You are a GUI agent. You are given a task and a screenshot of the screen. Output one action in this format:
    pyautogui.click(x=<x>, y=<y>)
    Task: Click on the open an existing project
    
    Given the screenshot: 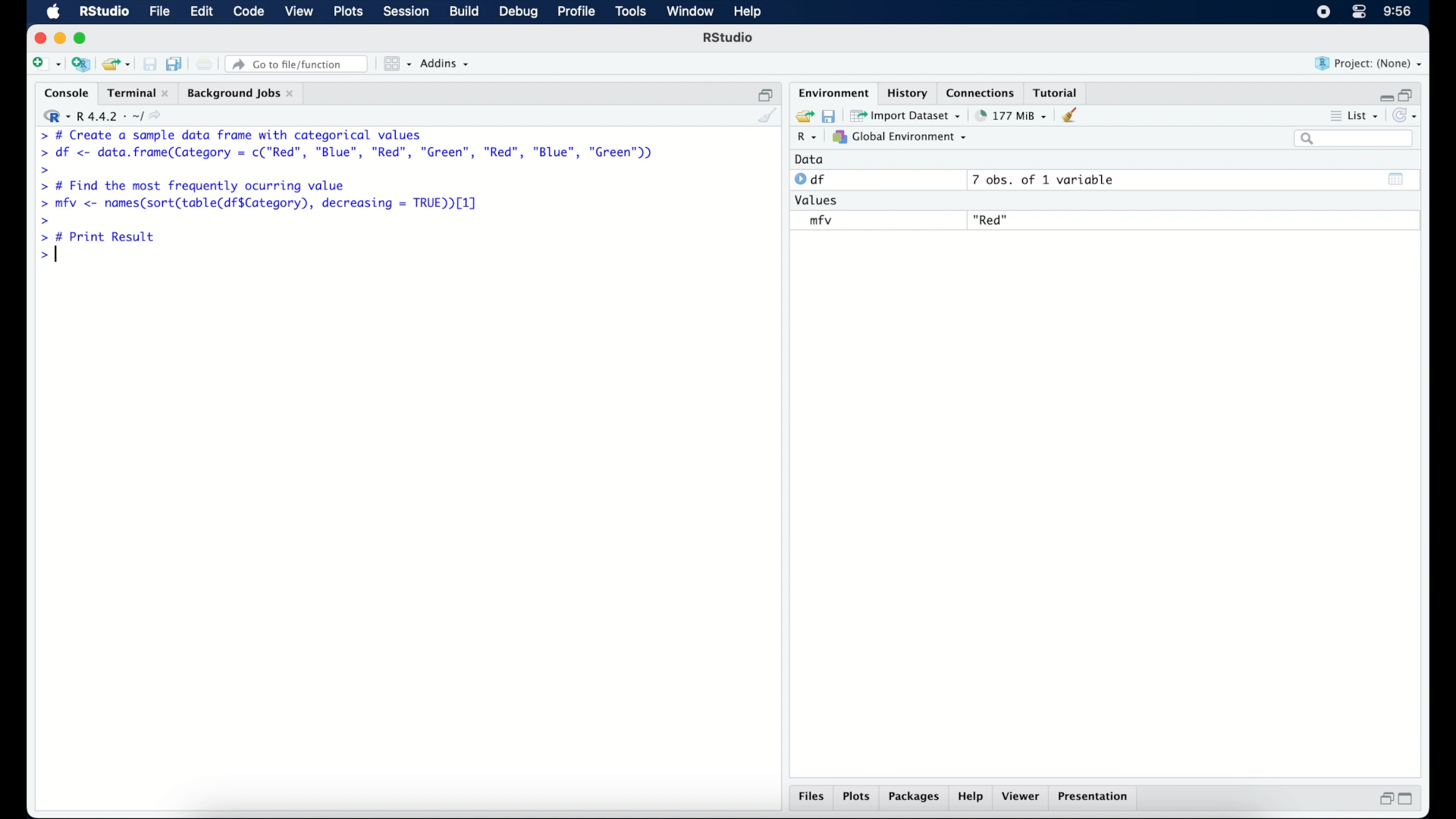 What is the action you would take?
    pyautogui.click(x=117, y=64)
    